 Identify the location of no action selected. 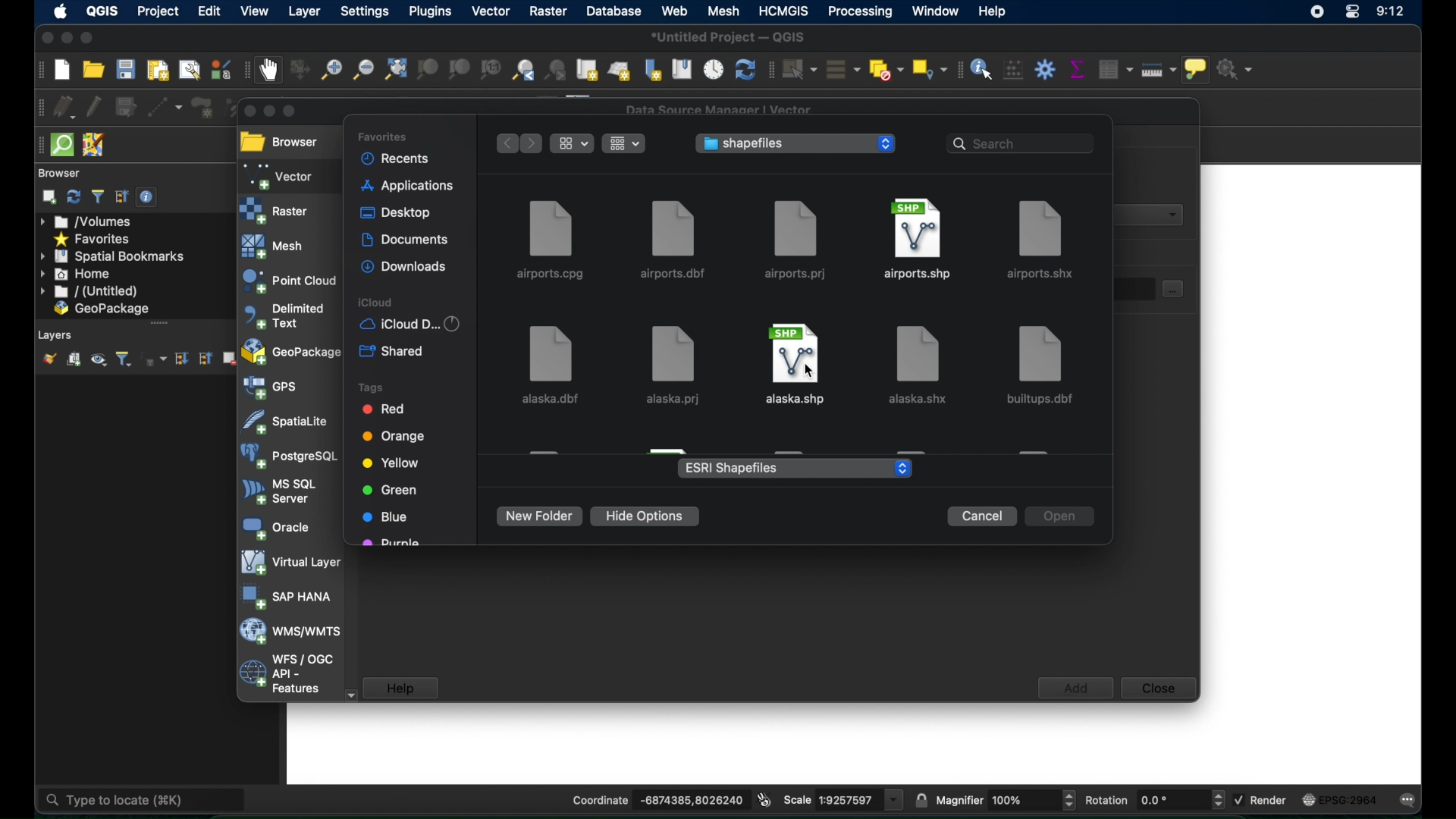
(1241, 69).